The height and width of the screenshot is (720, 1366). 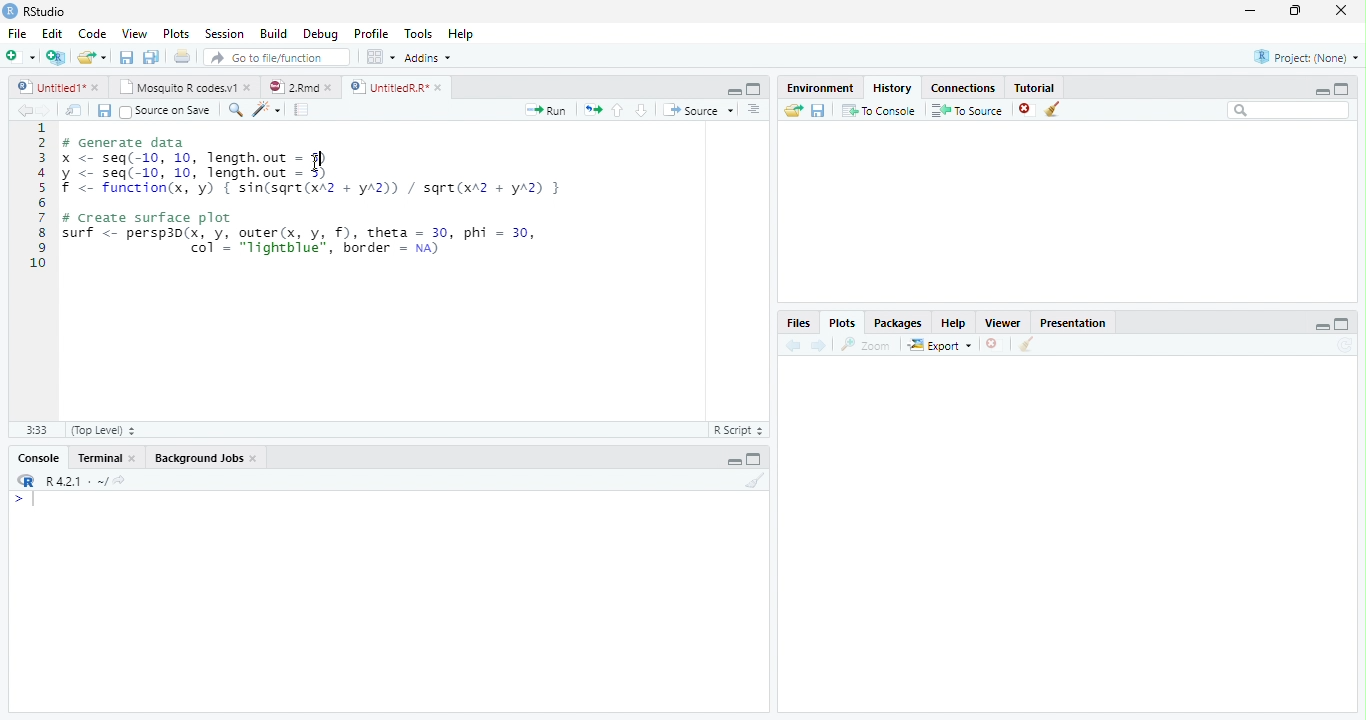 I want to click on cursor, so click(x=318, y=164).